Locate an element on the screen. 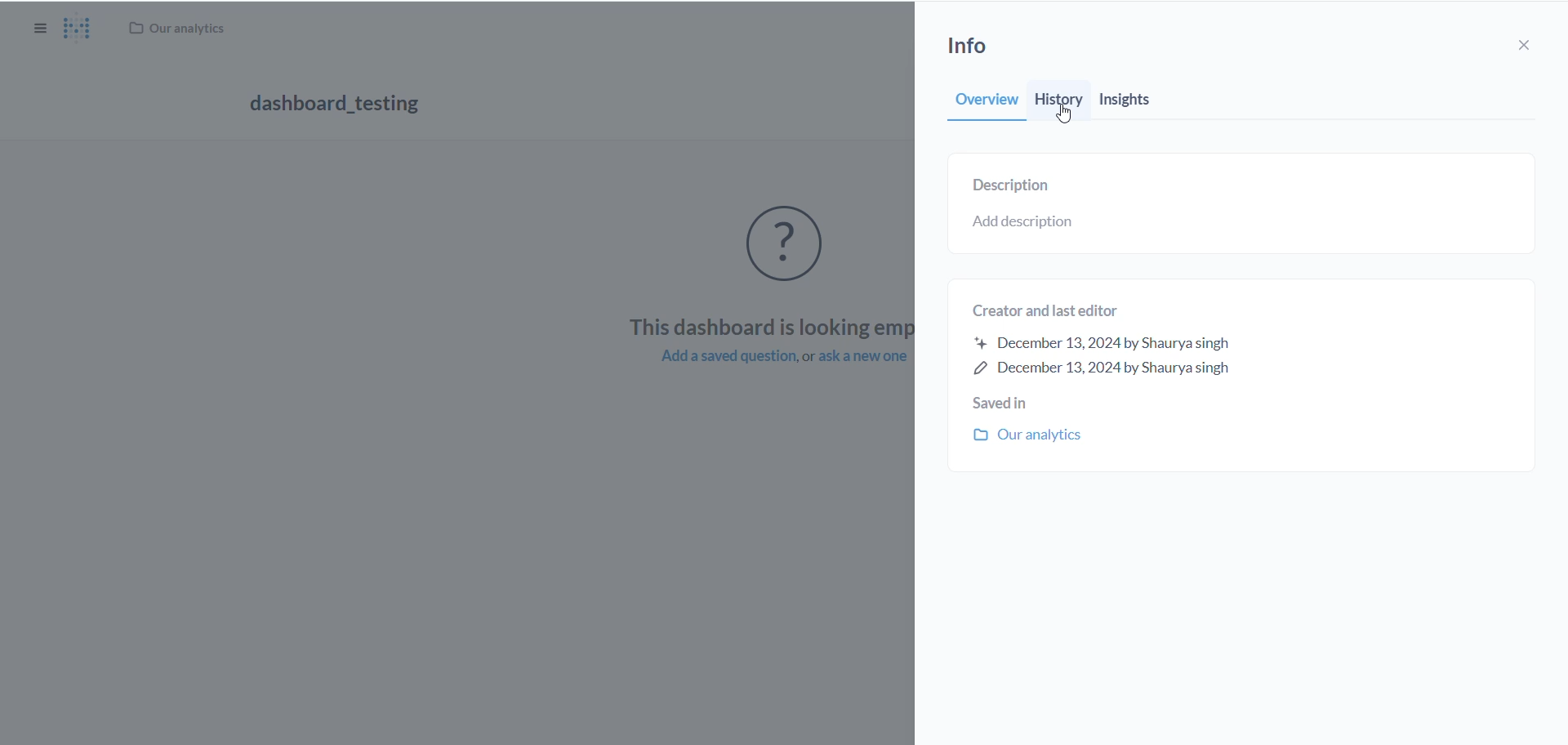 This screenshot has width=1568, height=745. our analytics folder is located at coordinates (1022, 439).